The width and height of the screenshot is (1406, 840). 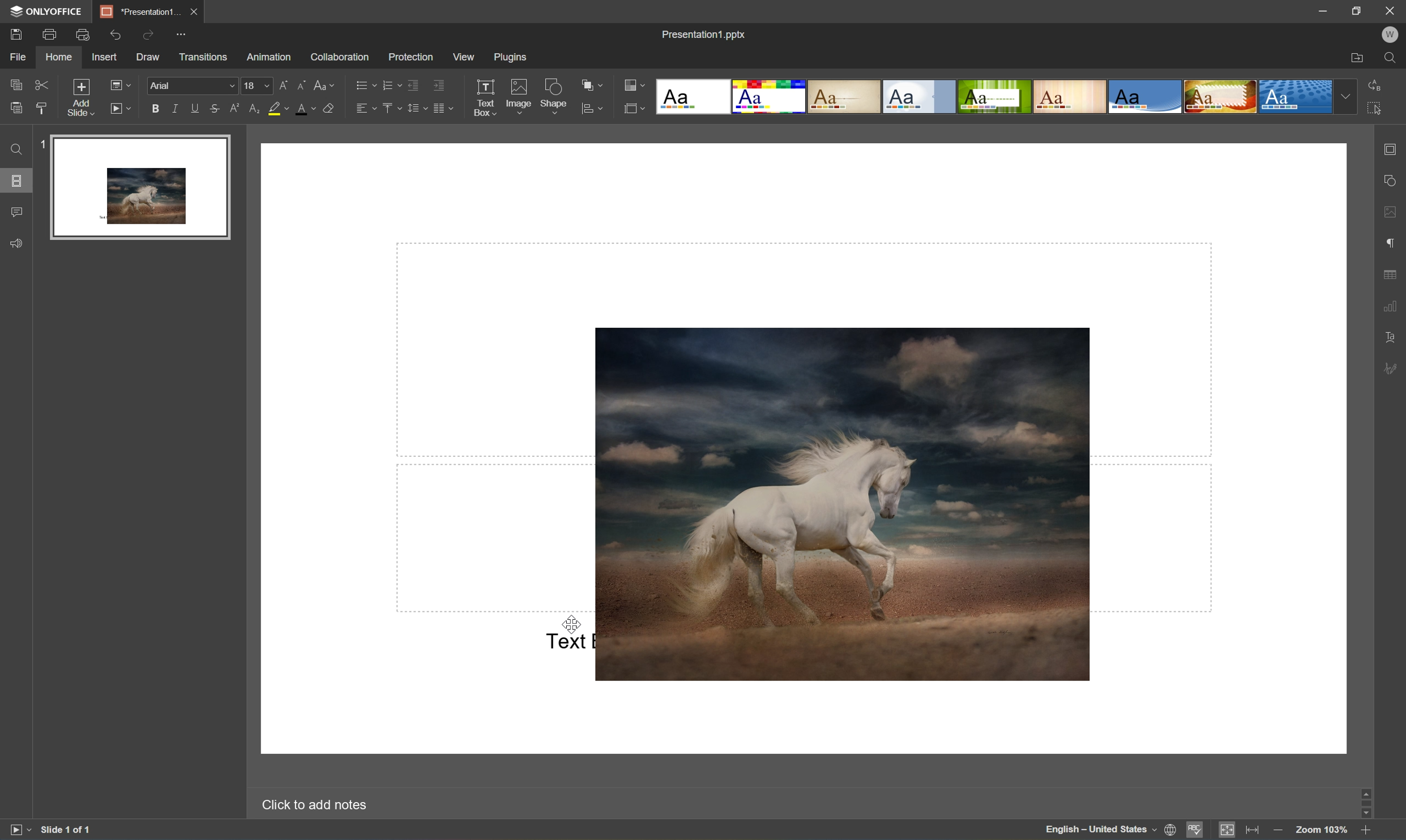 What do you see at coordinates (151, 34) in the screenshot?
I see `Redo` at bounding box center [151, 34].